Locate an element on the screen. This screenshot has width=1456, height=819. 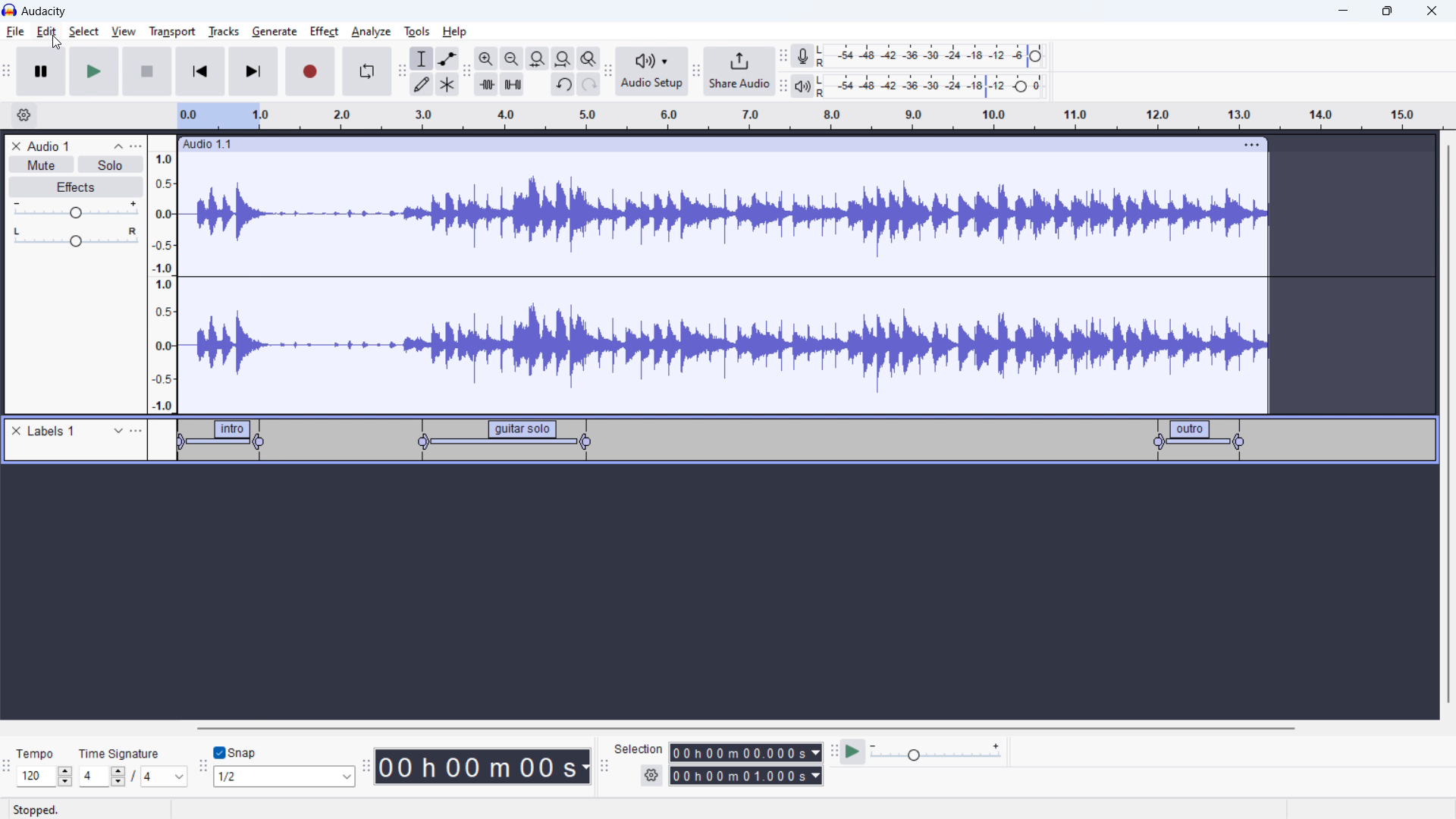
maximize is located at coordinates (1387, 11).